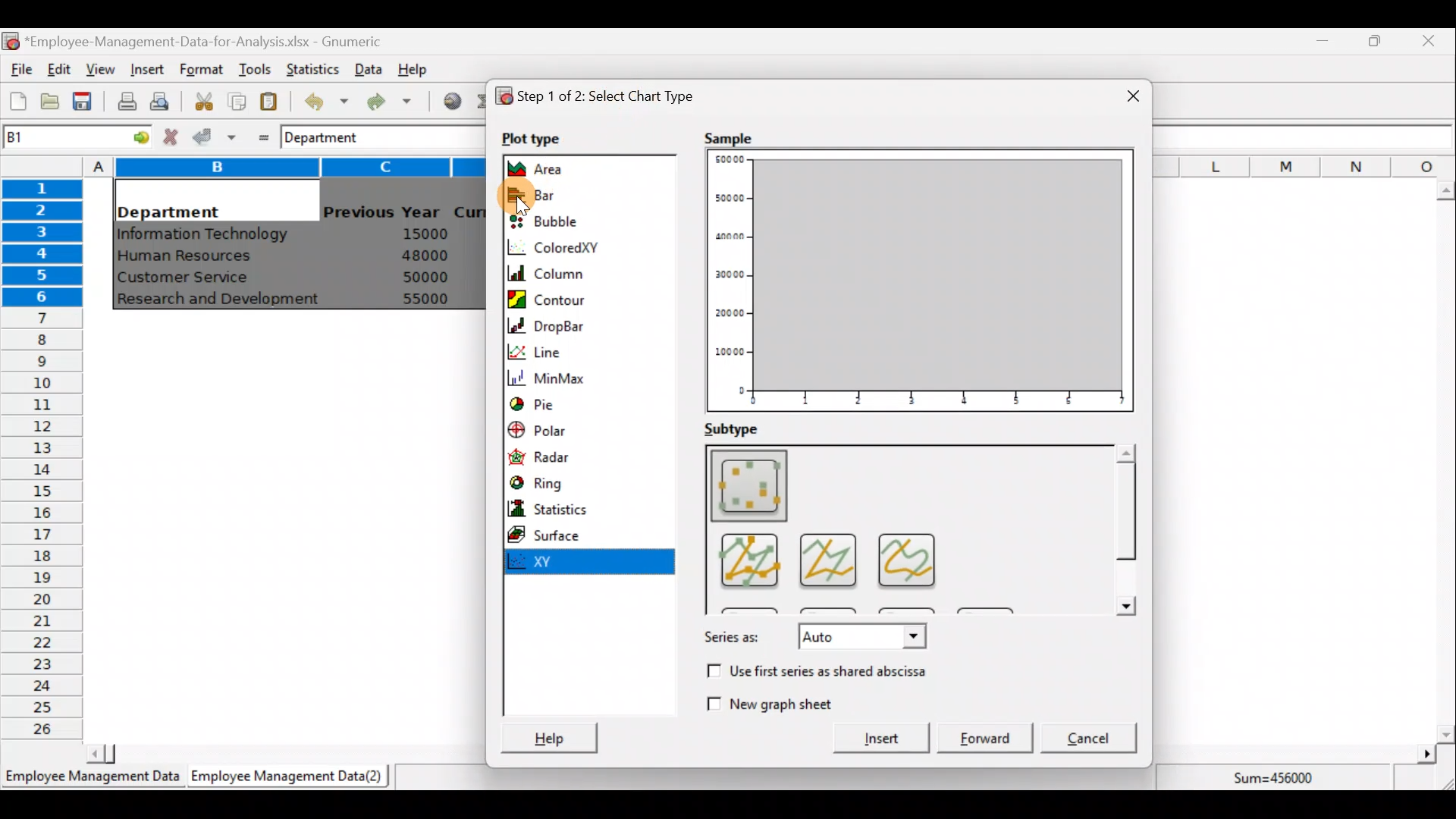  I want to click on Gnumeric logo, so click(11, 42).